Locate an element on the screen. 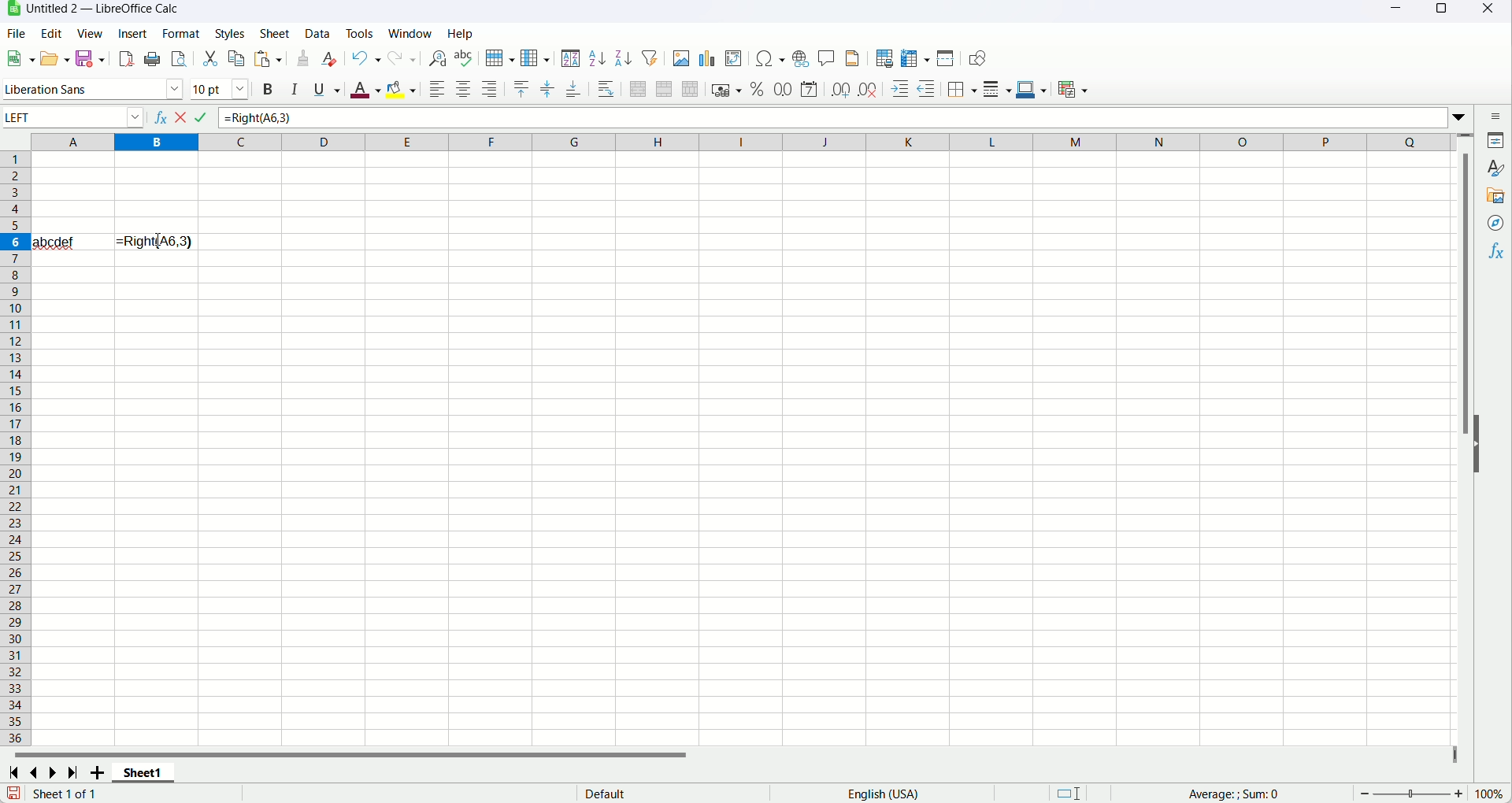 This screenshot has width=1512, height=803. underline is located at coordinates (328, 91).